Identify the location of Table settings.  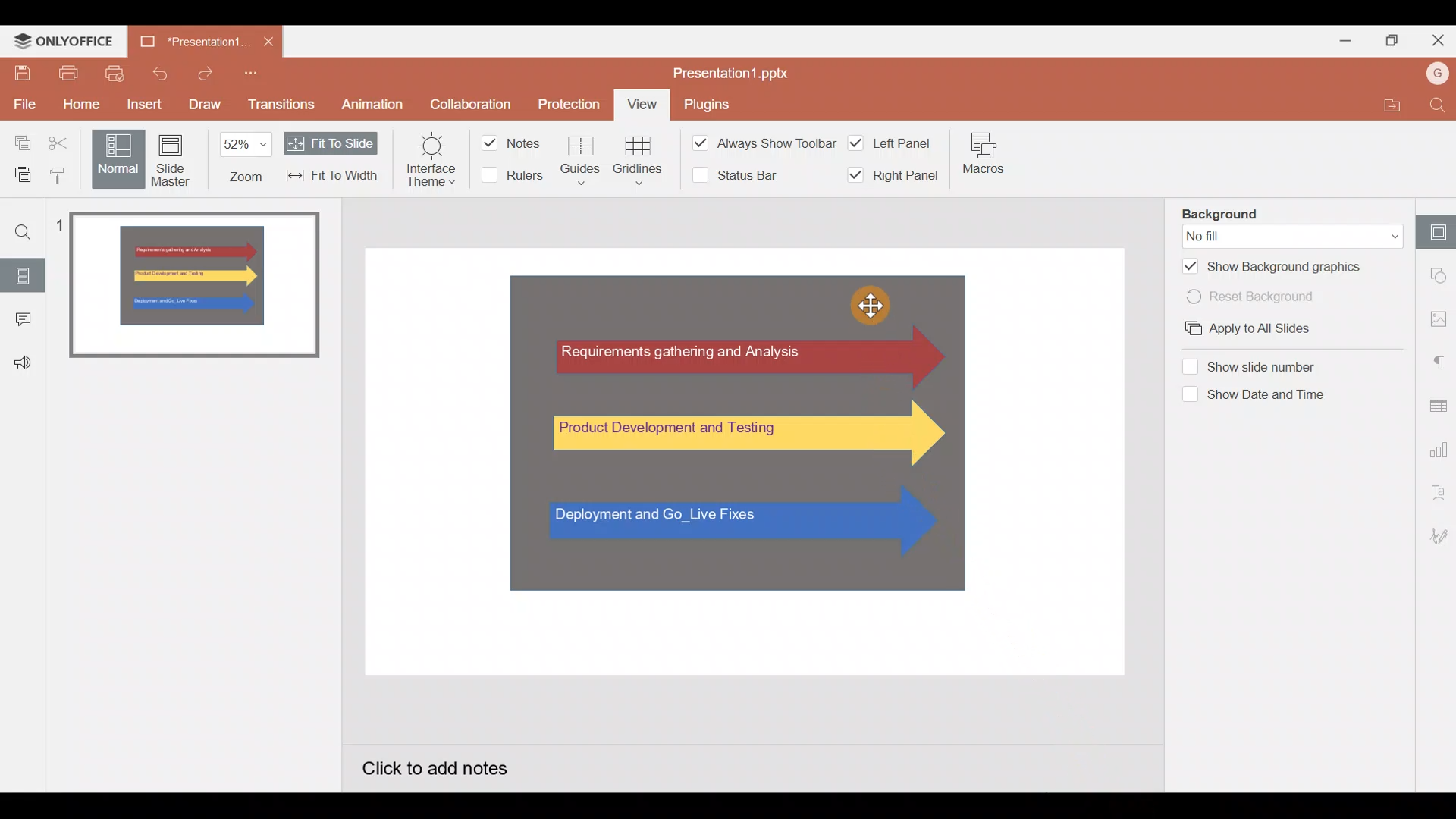
(1437, 401).